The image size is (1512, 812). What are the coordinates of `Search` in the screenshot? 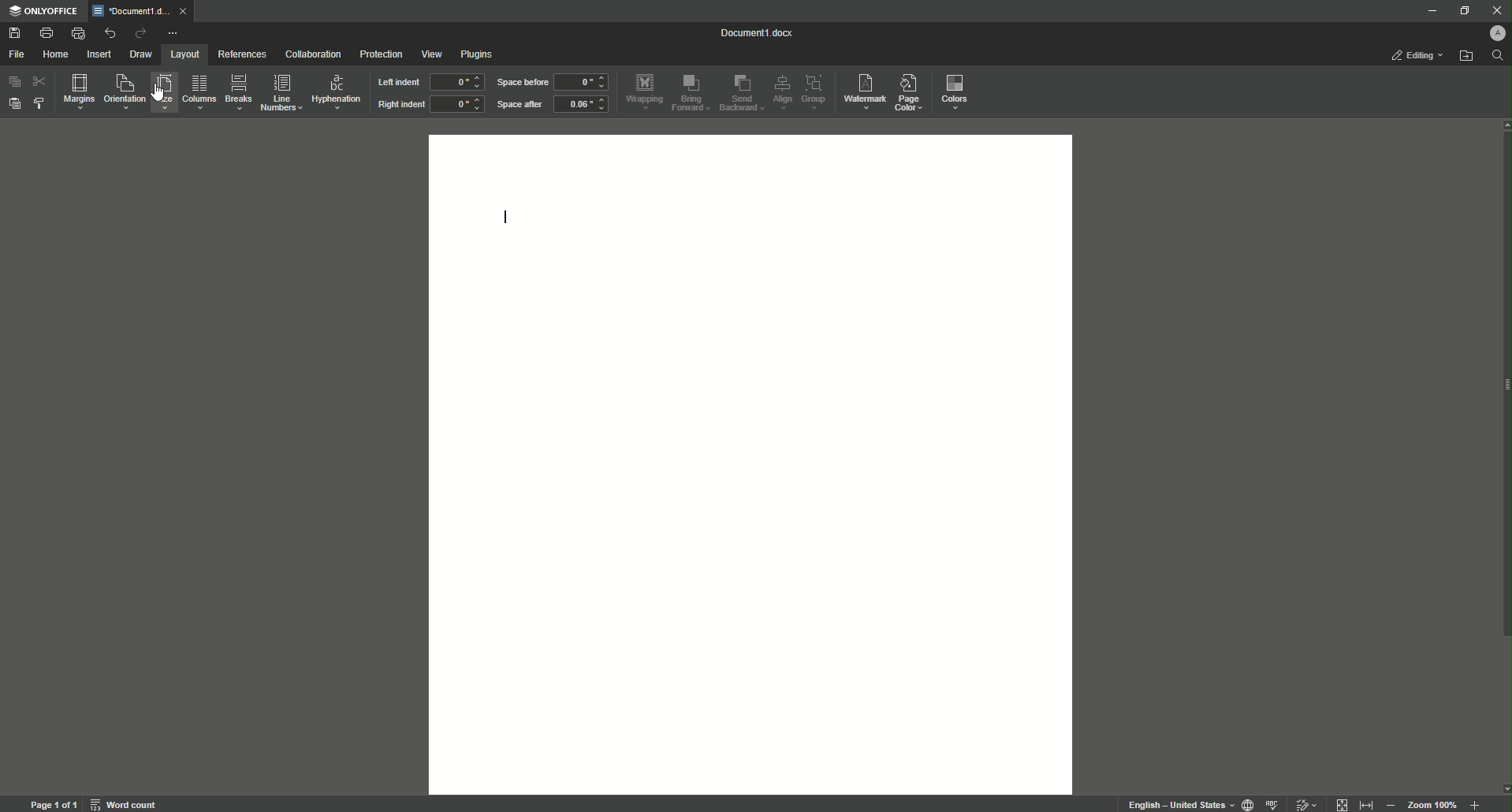 It's located at (1495, 59).